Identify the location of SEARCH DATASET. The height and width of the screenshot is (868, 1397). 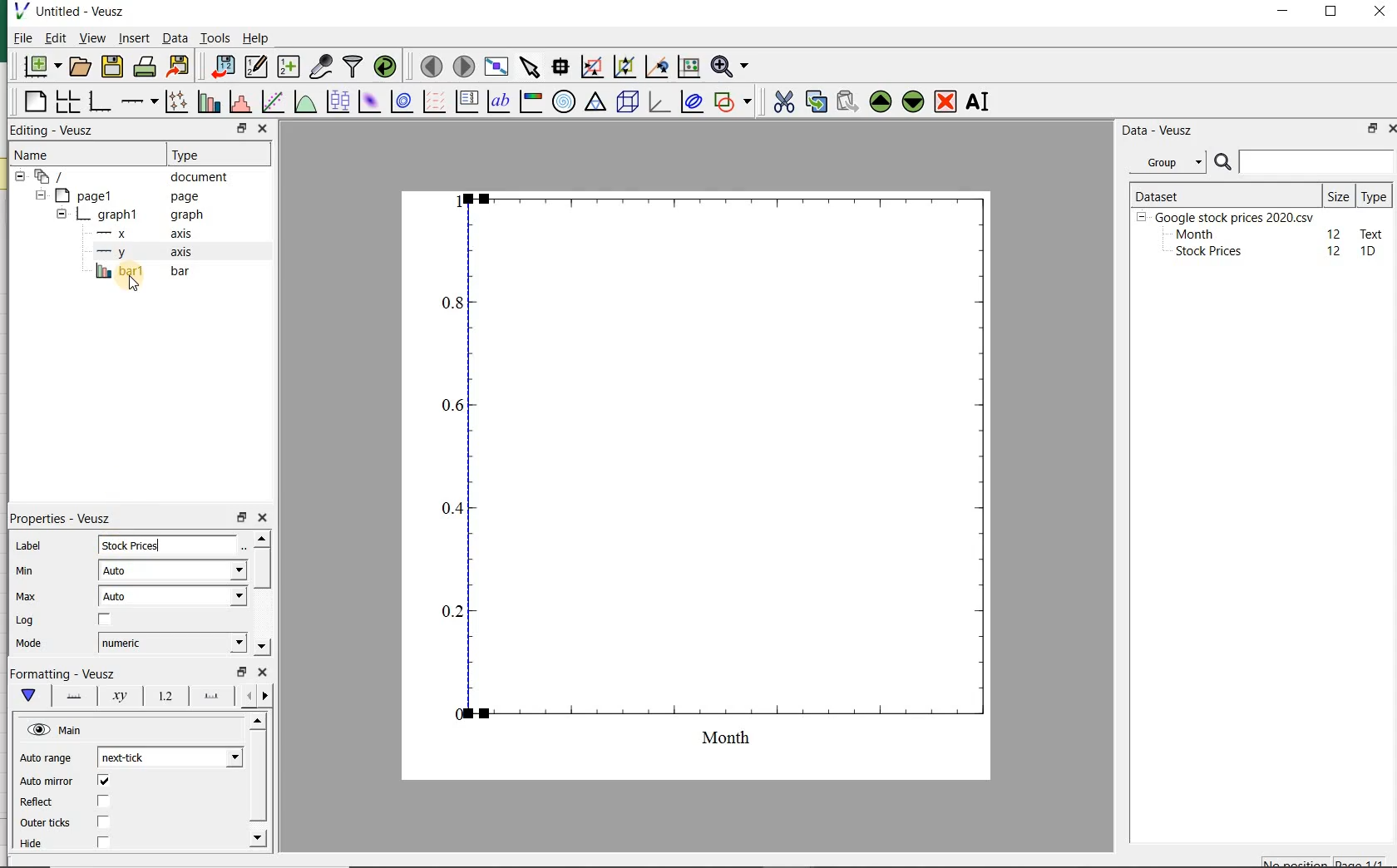
(1304, 161).